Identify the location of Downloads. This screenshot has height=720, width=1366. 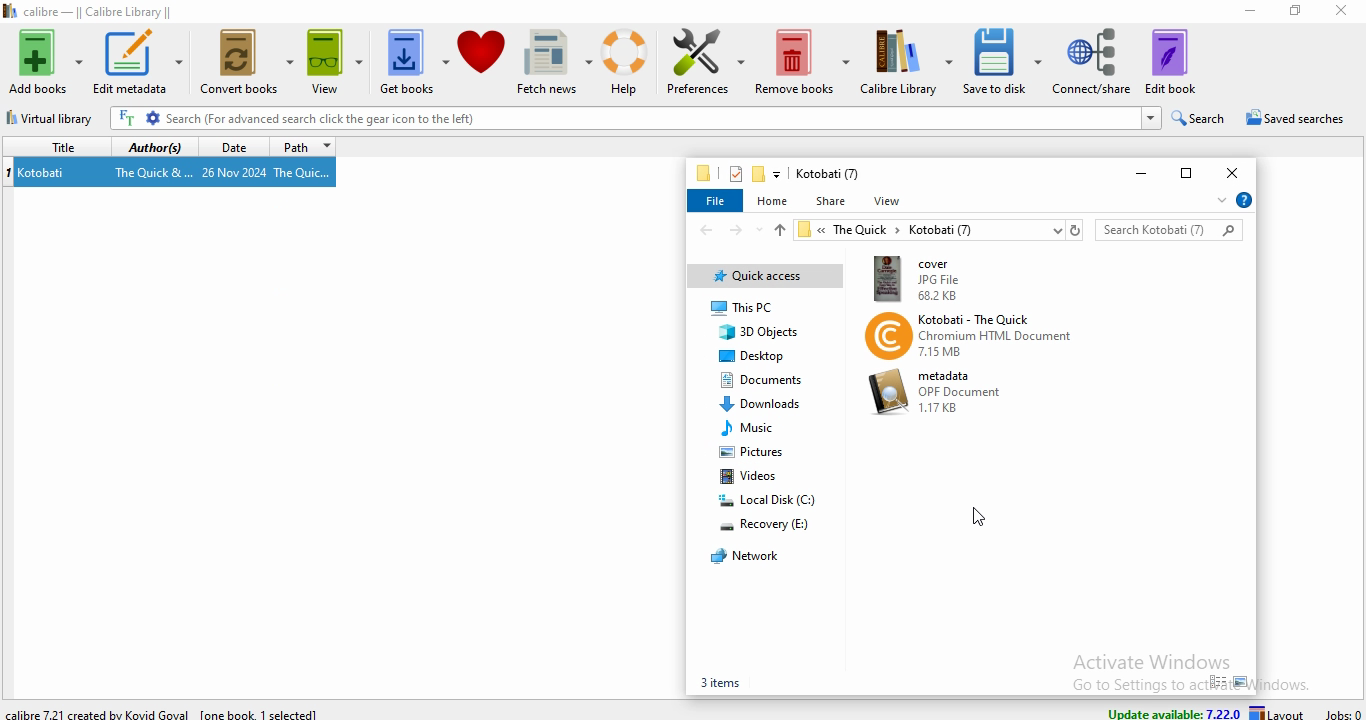
(760, 402).